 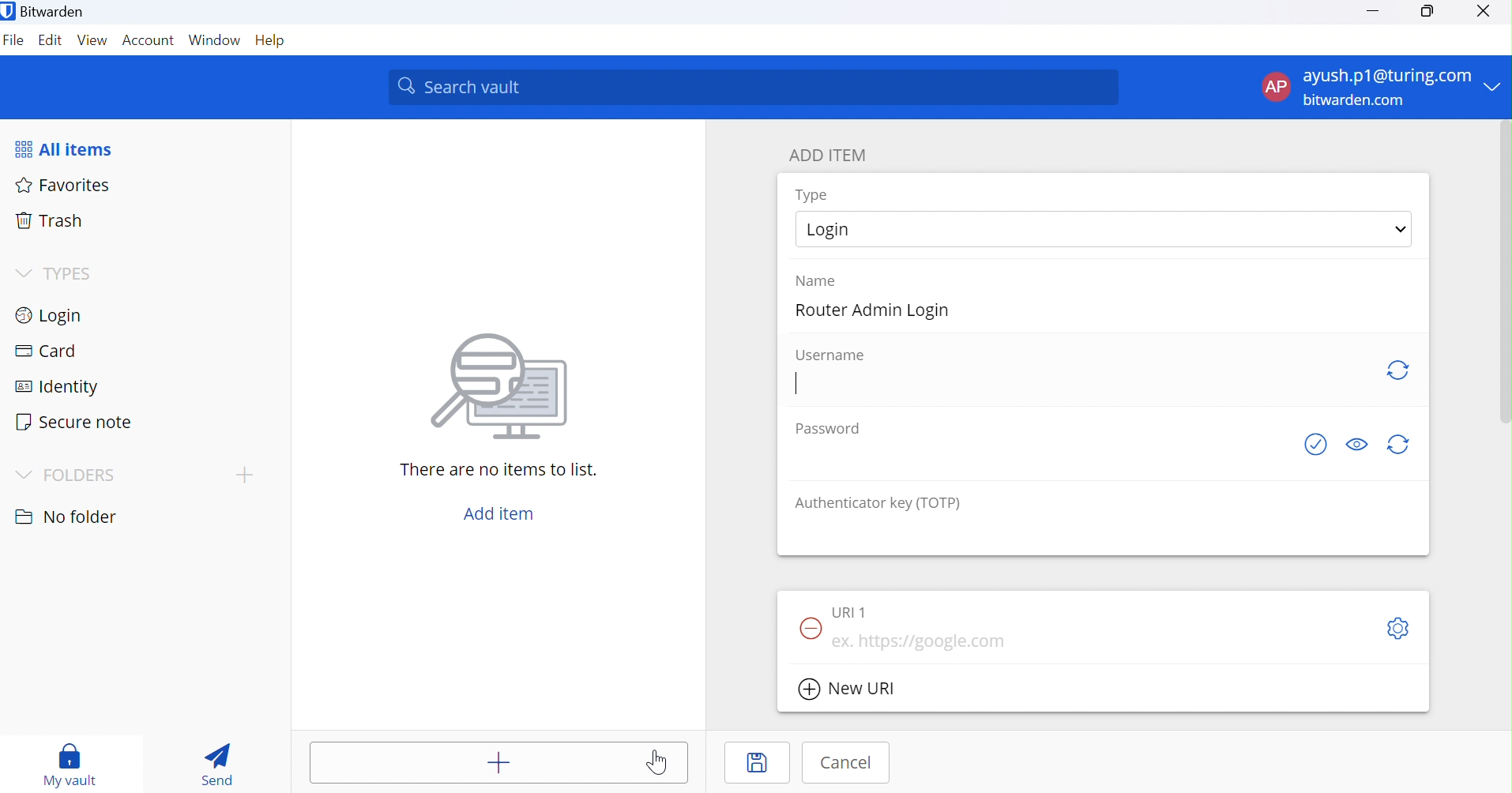 I want to click on All items, so click(x=74, y=147).